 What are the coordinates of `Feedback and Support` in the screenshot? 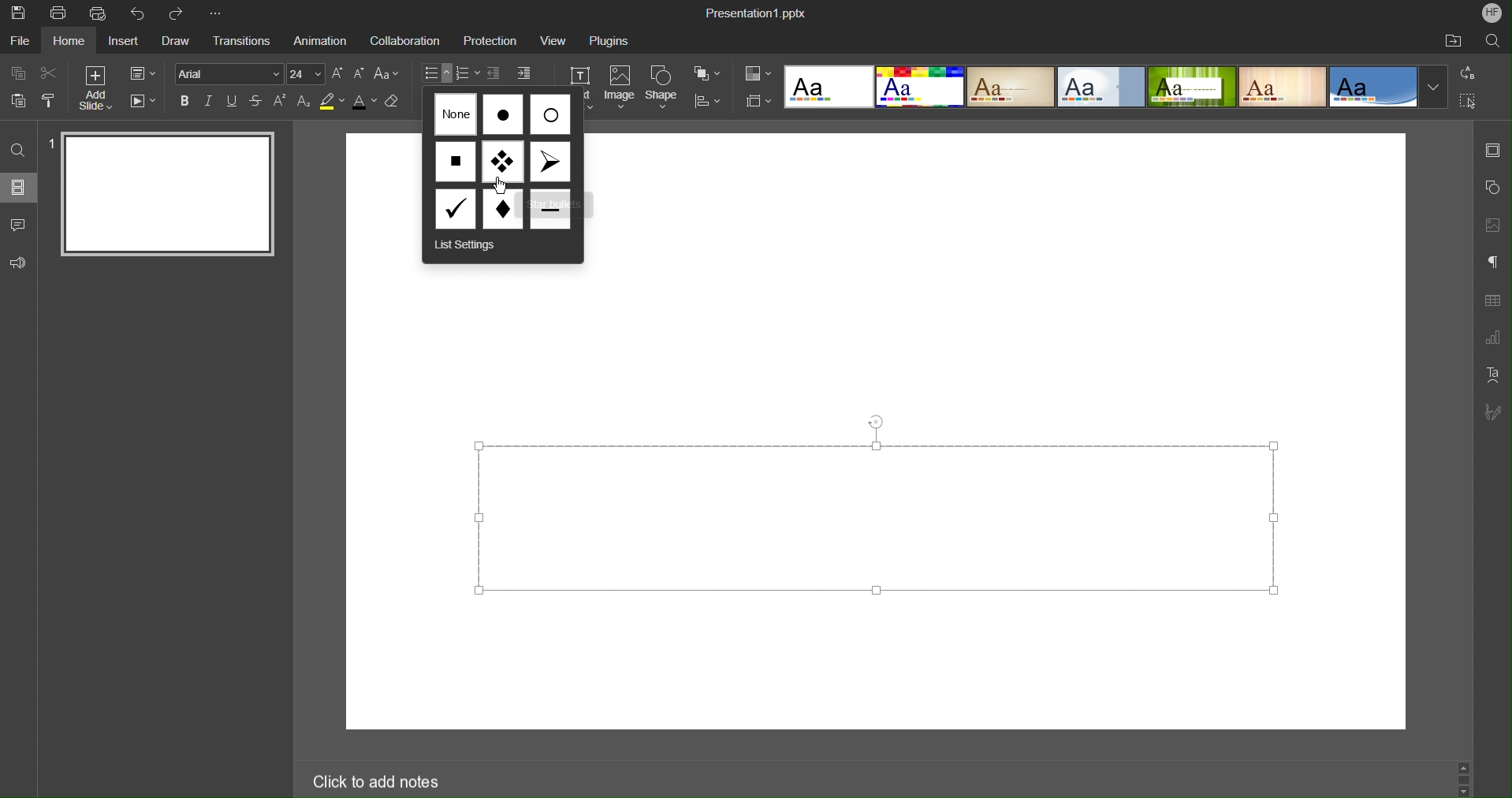 It's located at (17, 264).